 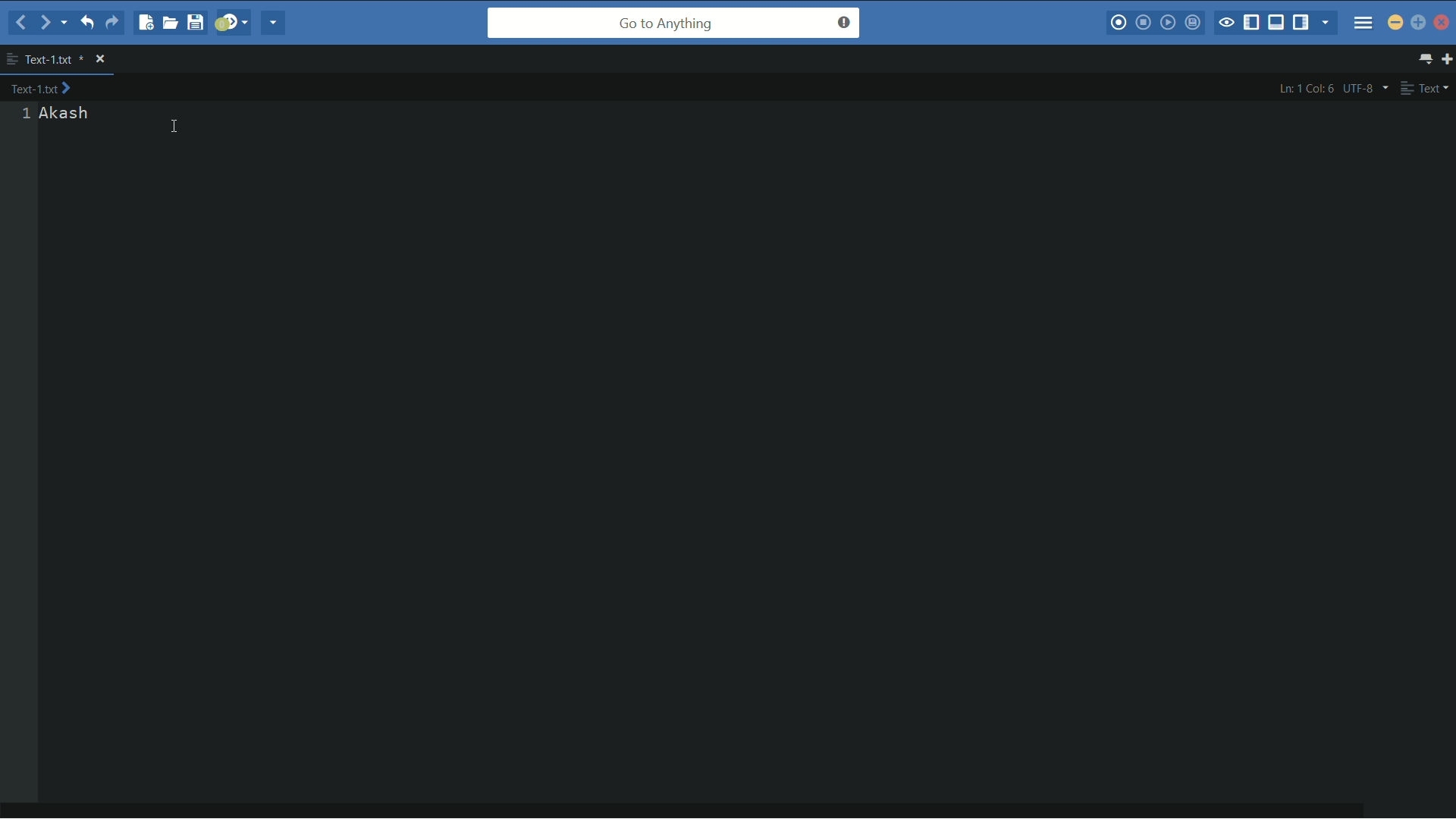 What do you see at coordinates (1395, 24) in the screenshot?
I see `minimize` at bounding box center [1395, 24].